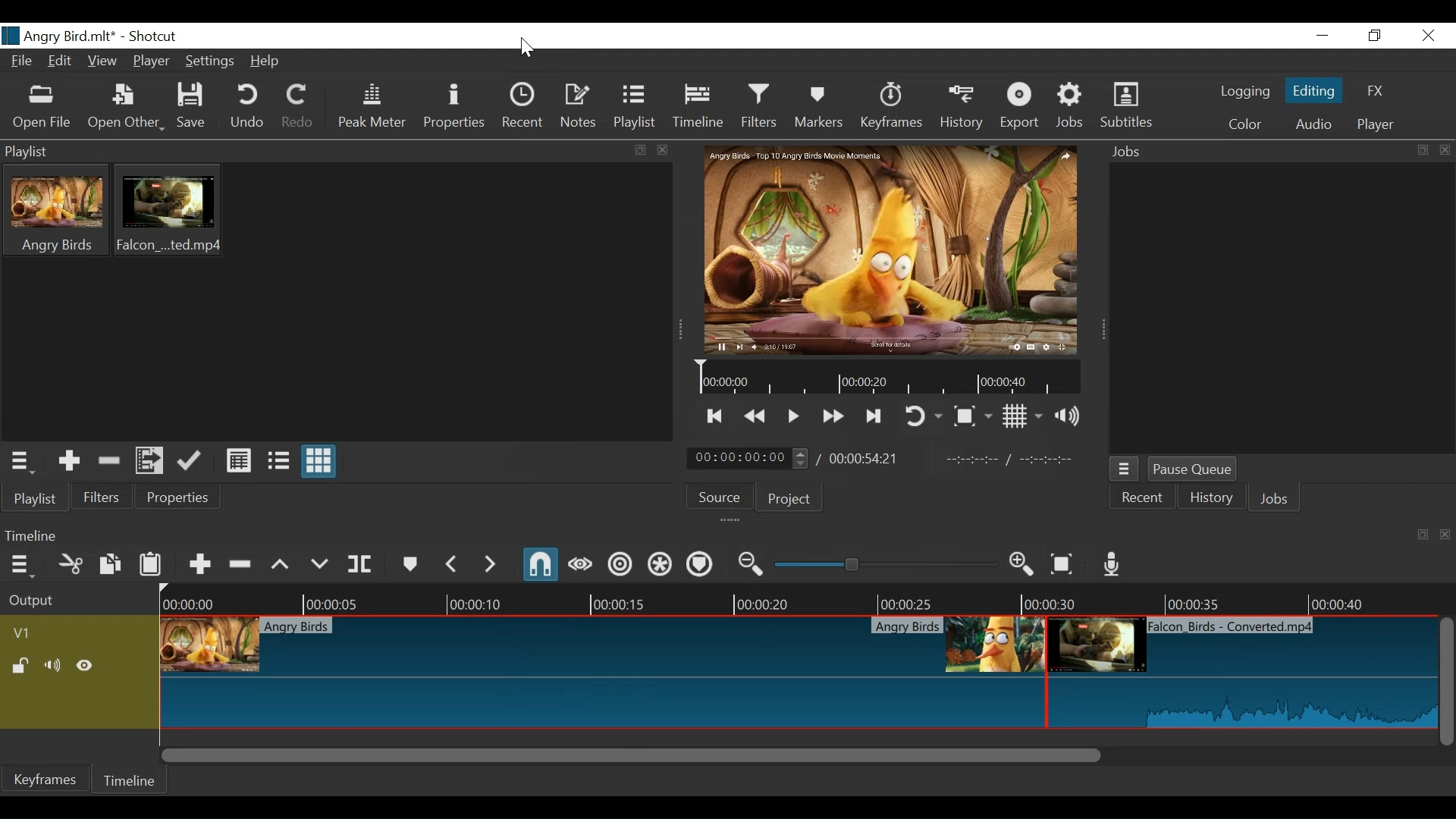  Describe the element at coordinates (618, 565) in the screenshot. I see `Ripple` at that location.